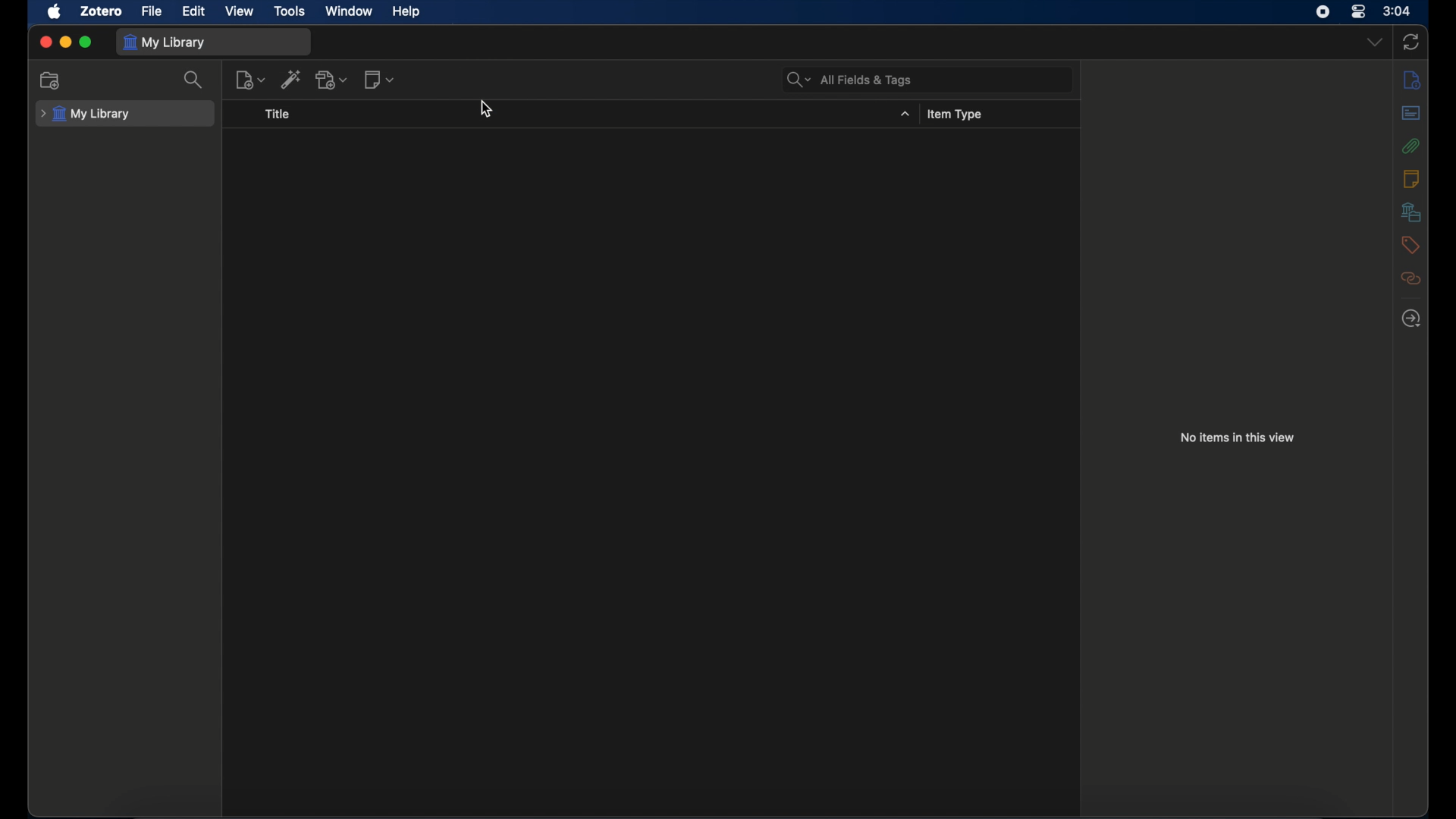 The width and height of the screenshot is (1456, 819). I want to click on apple icon, so click(55, 12).